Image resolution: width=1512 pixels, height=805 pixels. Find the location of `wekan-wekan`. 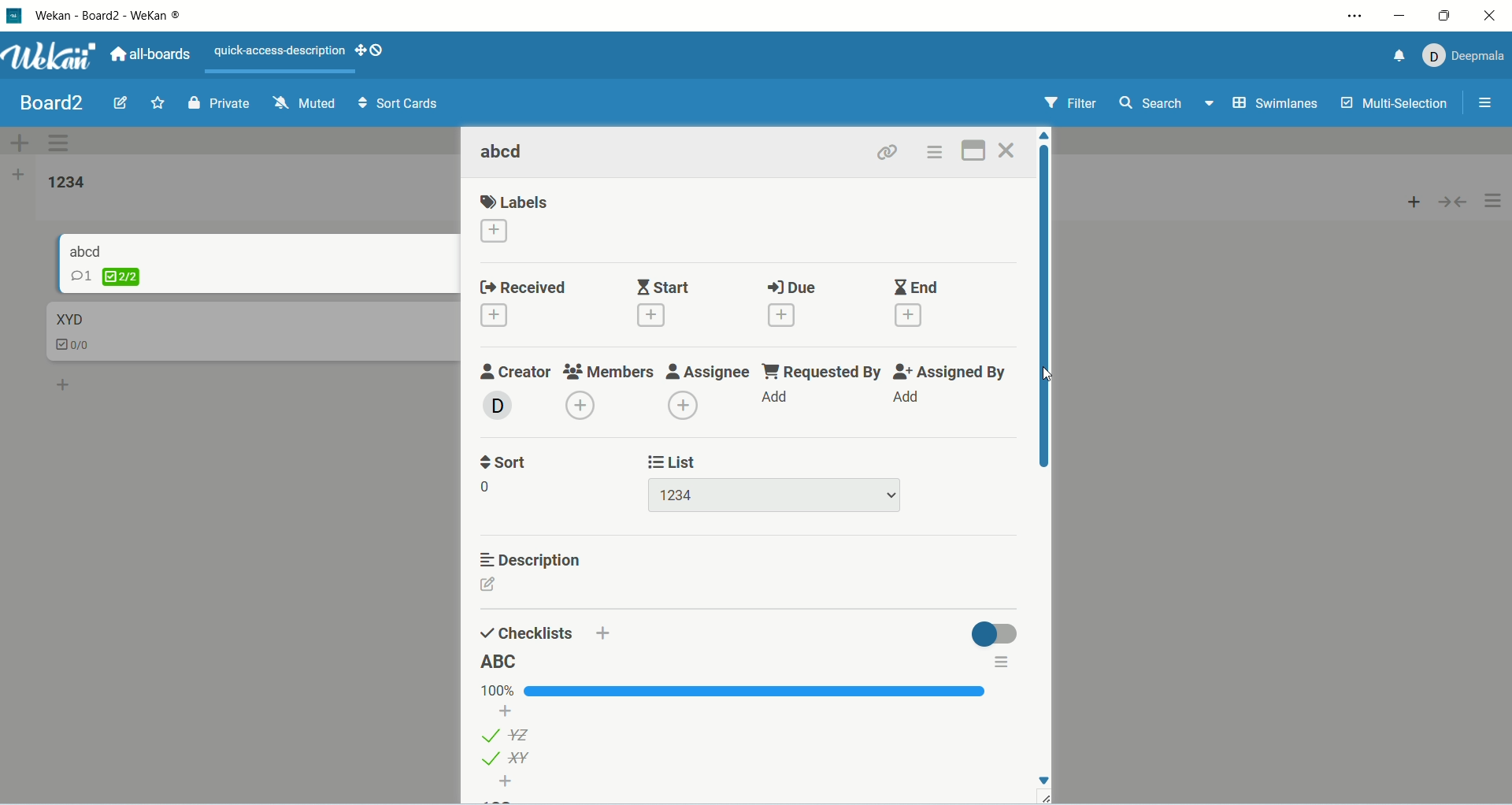

wekan-wekan is located at coordinates (106, 17).